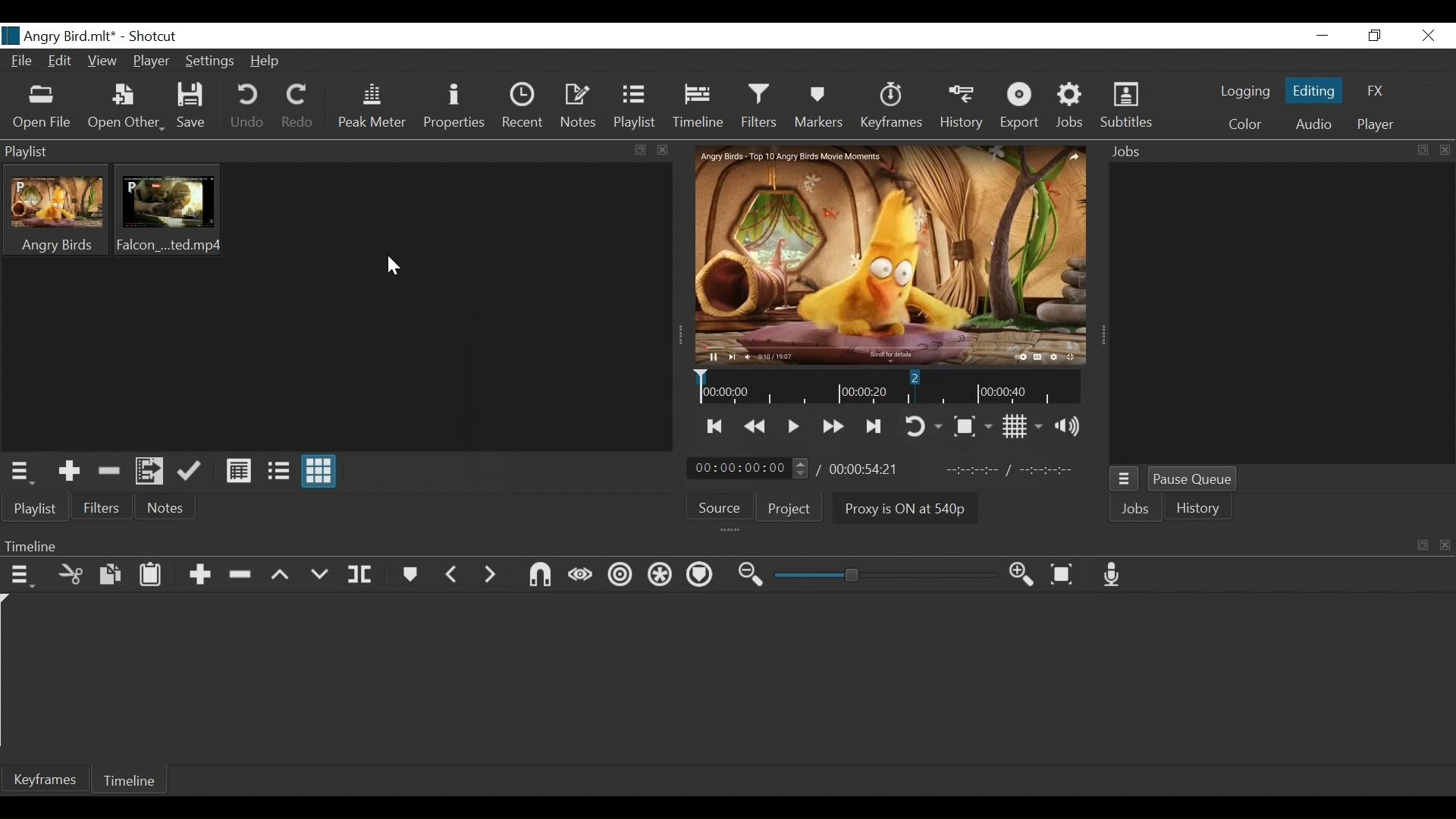 This screenshot has width=1456, height=819. Describe the element at coordinates (721, 507) in the screenshot. I see `Source` at that location.